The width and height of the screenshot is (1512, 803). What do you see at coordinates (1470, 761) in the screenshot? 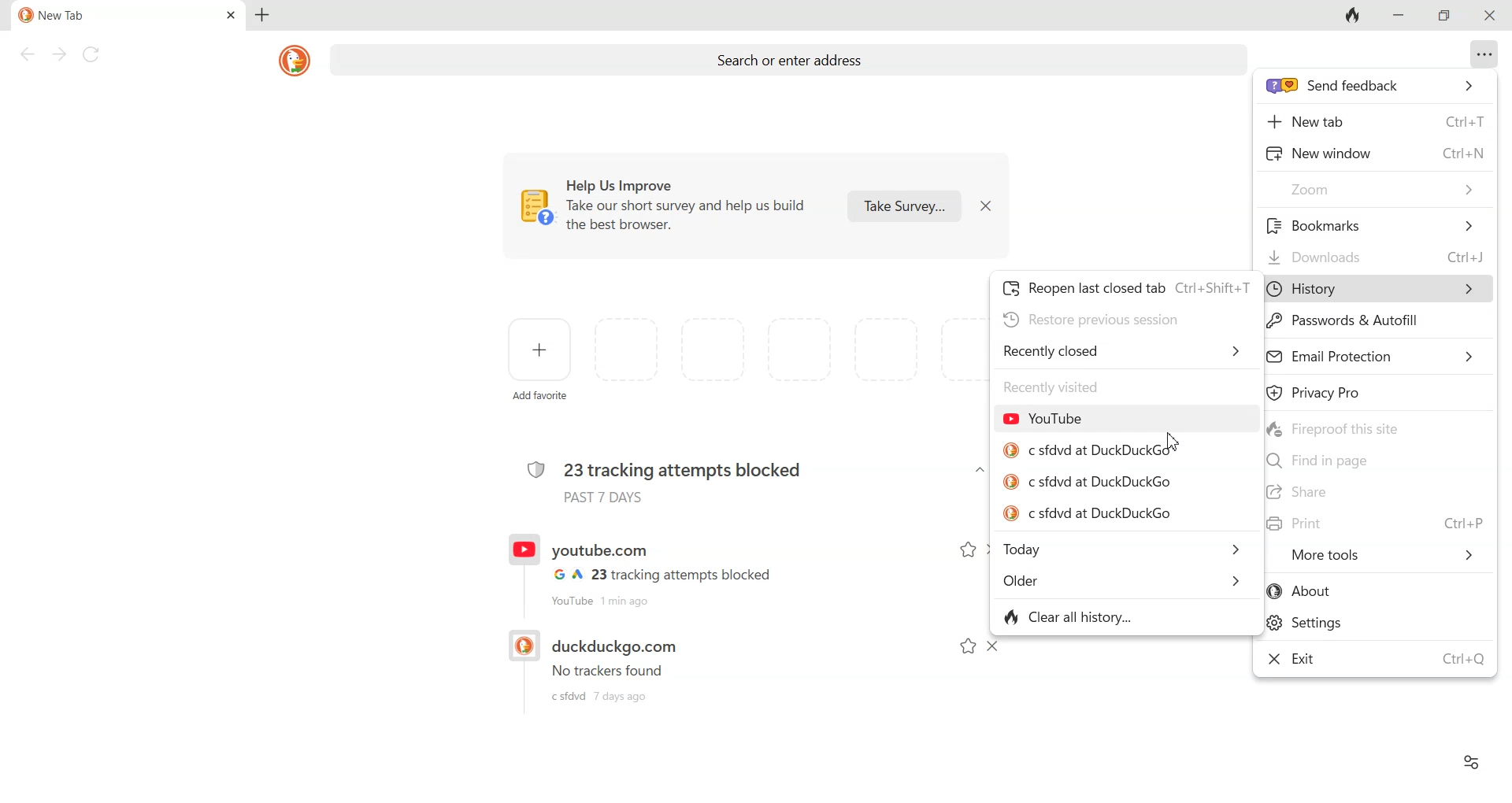
I see `Preferences` at bounding box center [1470, 761].